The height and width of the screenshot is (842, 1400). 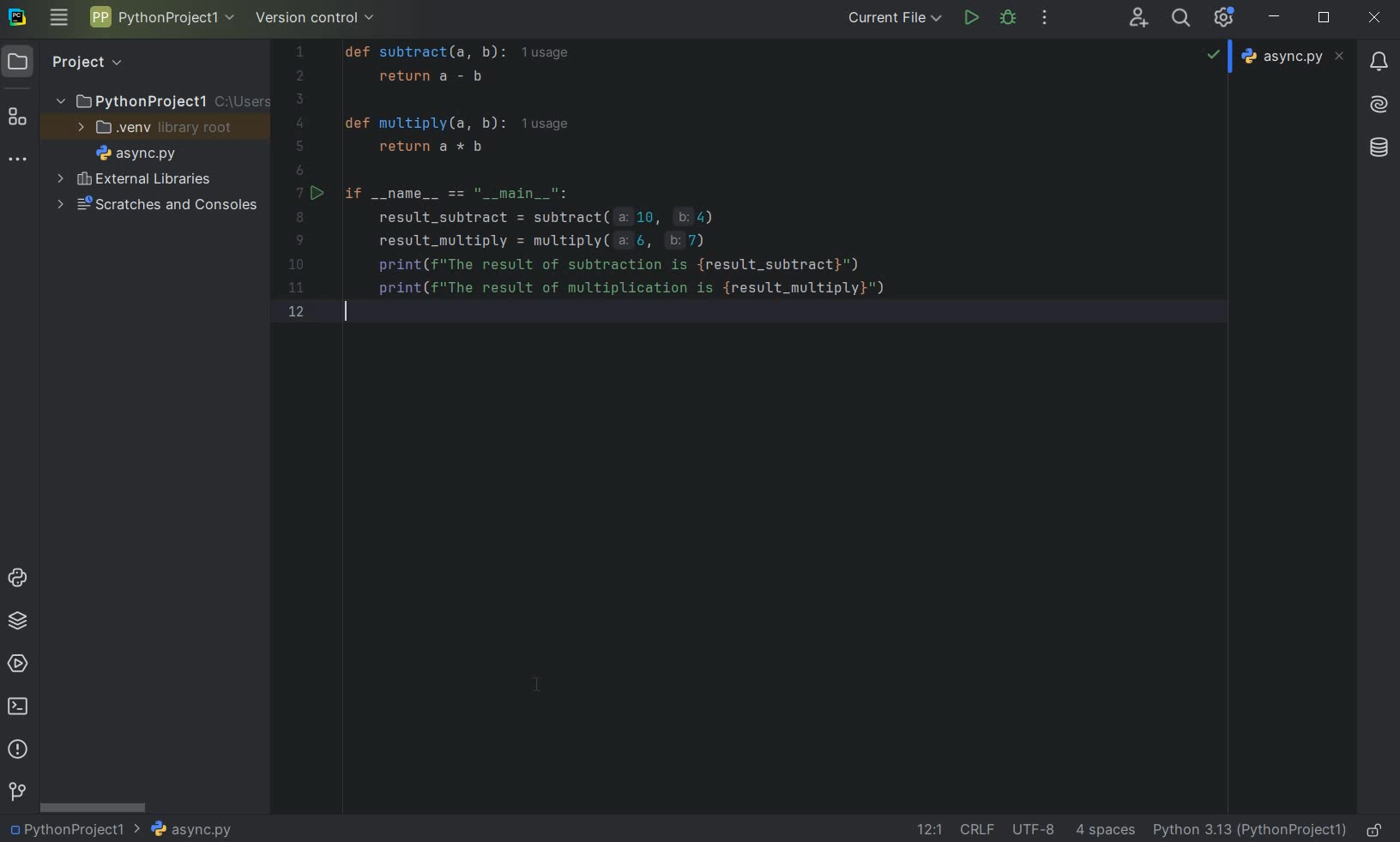 What do you see at coordinates (18, 789) in the screenshot?
I see `version control` at bounding box center [18, 789].